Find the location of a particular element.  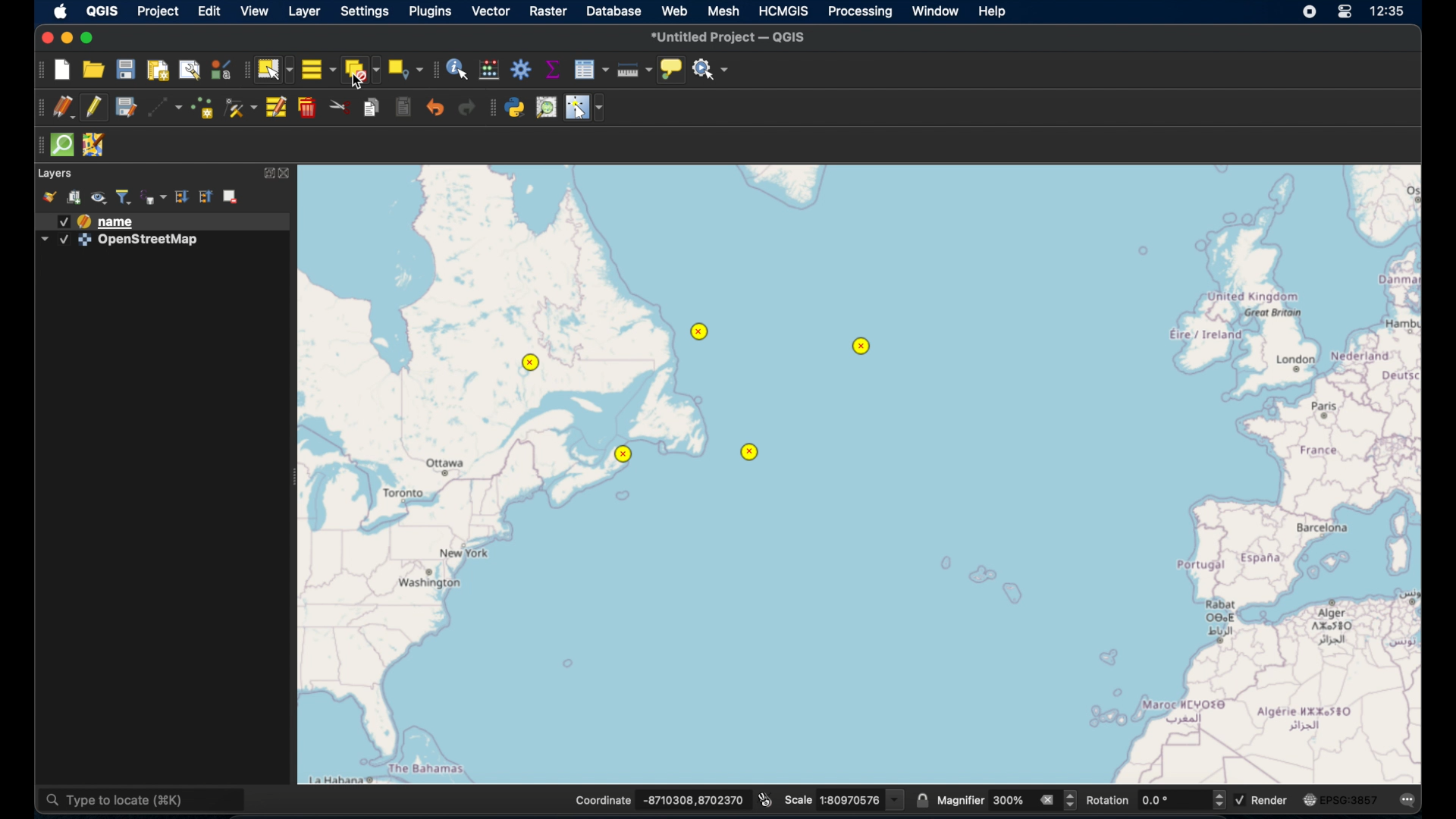

paste features is located at coordinates (401, 108).